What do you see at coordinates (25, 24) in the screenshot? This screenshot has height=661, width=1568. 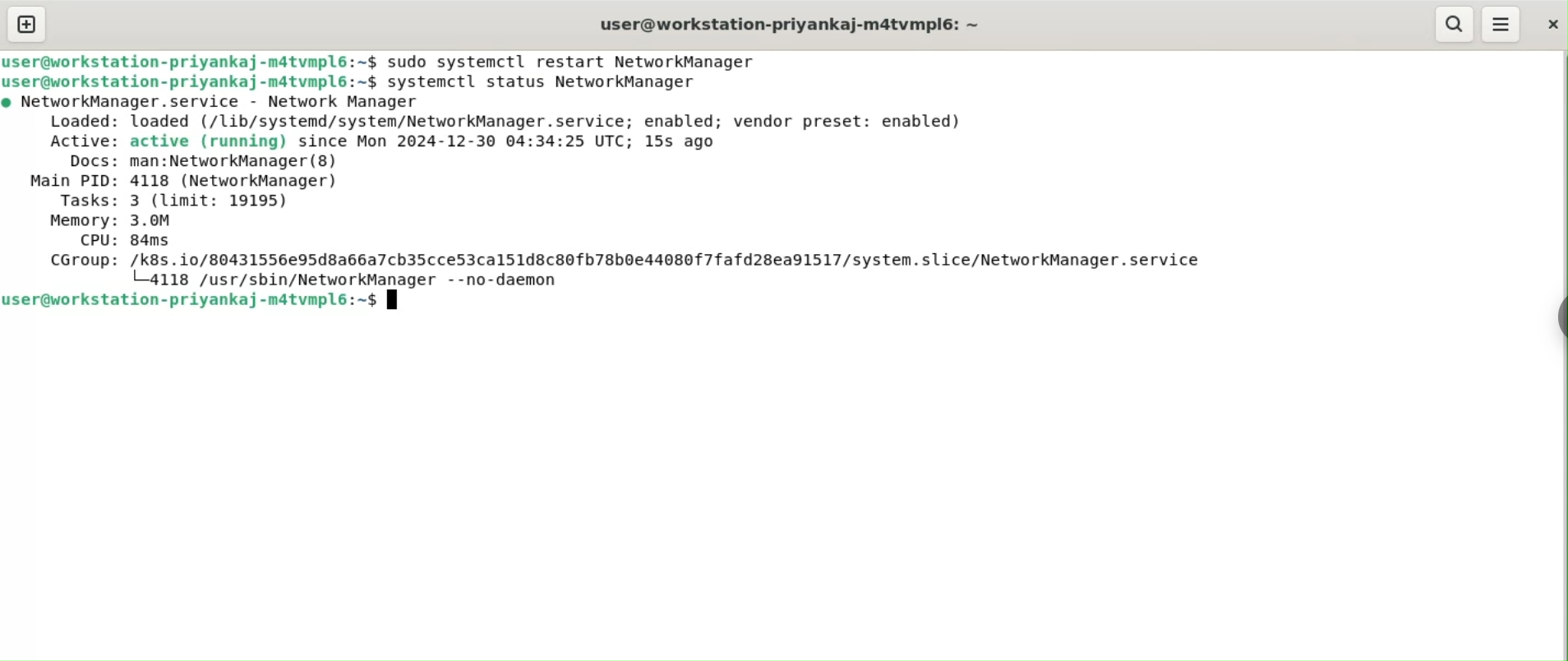 I see `new tab` at bounding box center [25, 24].